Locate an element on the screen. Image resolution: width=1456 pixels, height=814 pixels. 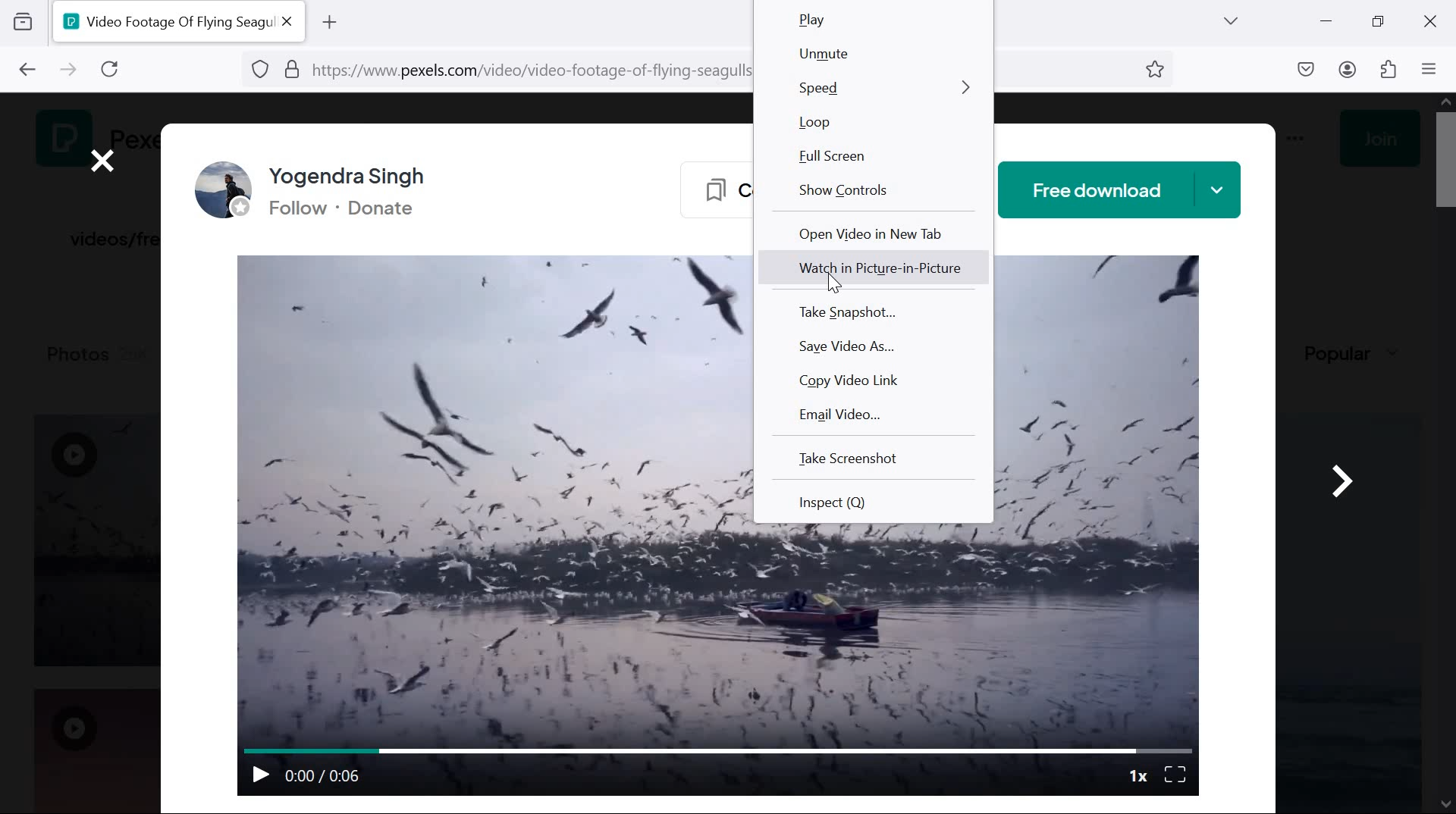
full screen is located at coordinates (1178, 773).